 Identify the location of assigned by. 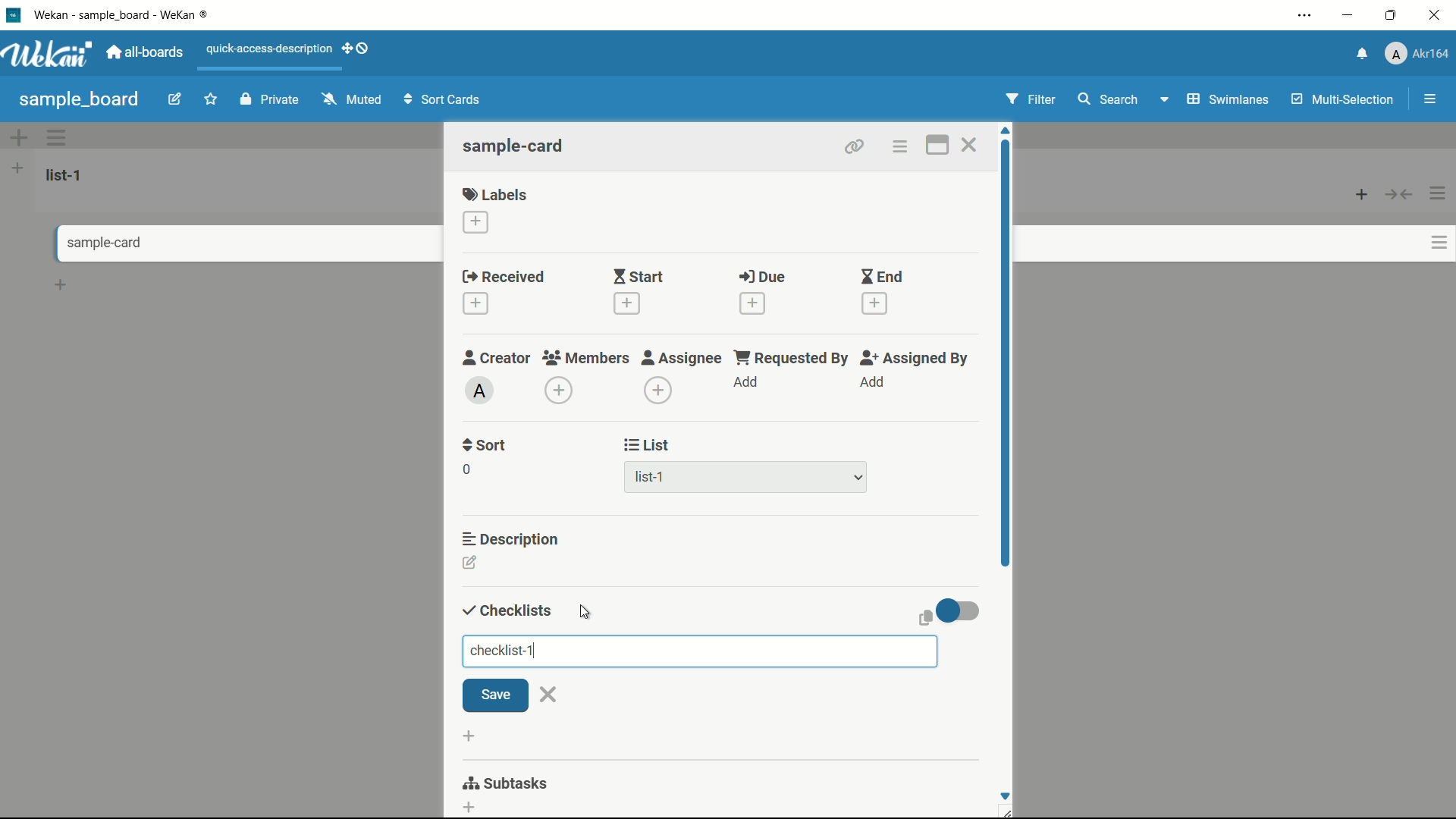
(916, 358).